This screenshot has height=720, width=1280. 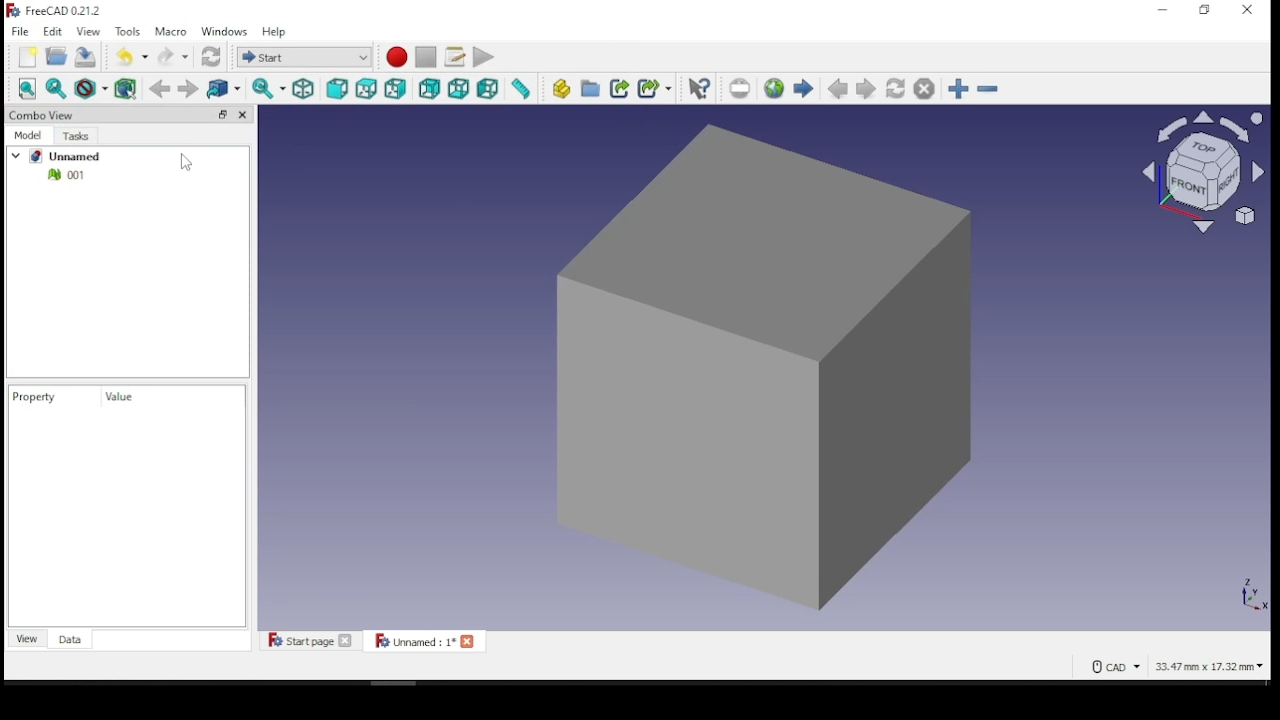 I want to click on macro, so click(x=171, y=32).